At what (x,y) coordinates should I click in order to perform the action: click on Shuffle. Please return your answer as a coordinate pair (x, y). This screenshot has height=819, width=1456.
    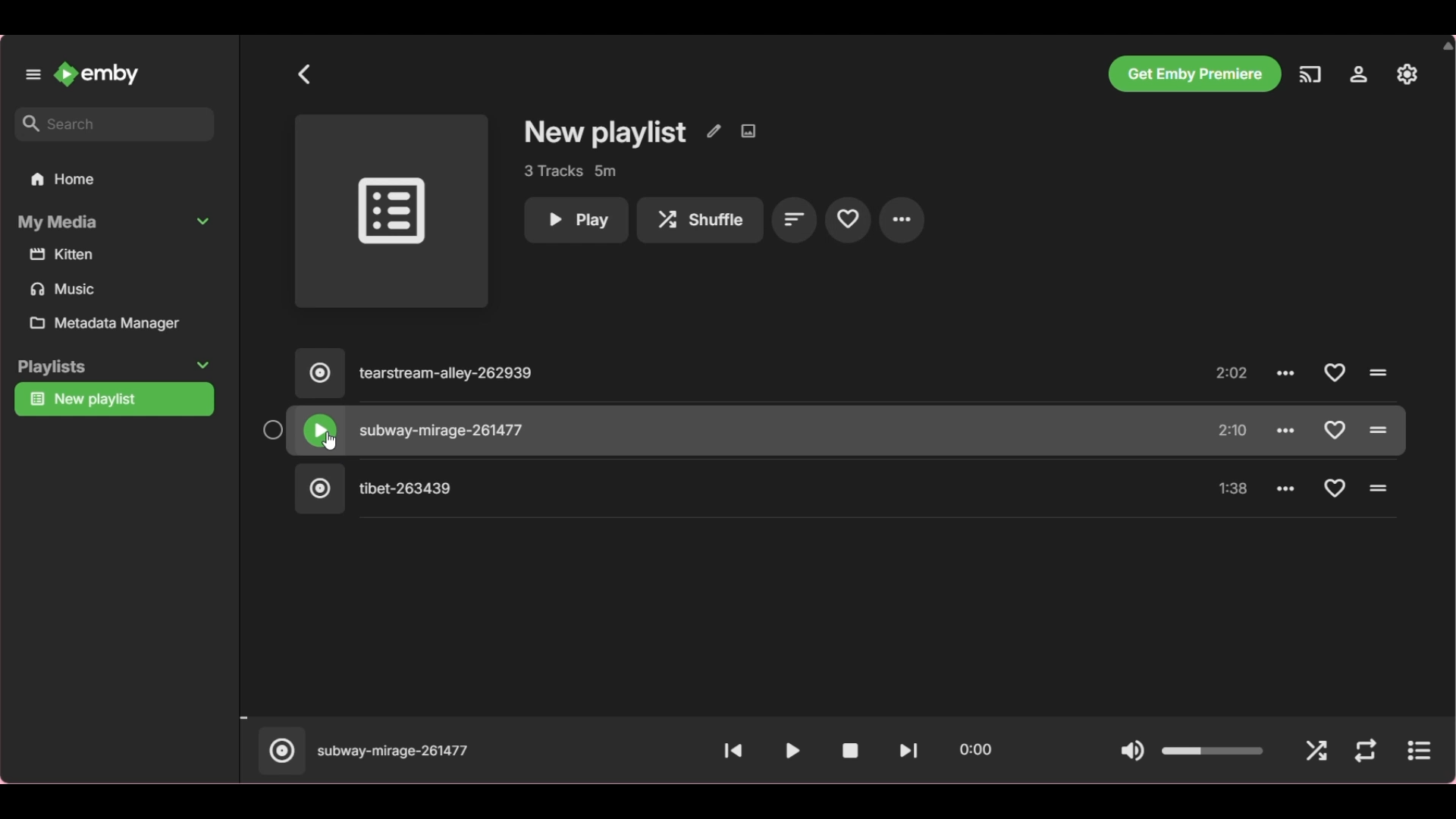
    Looking at the image, I should click on (1316, 752).